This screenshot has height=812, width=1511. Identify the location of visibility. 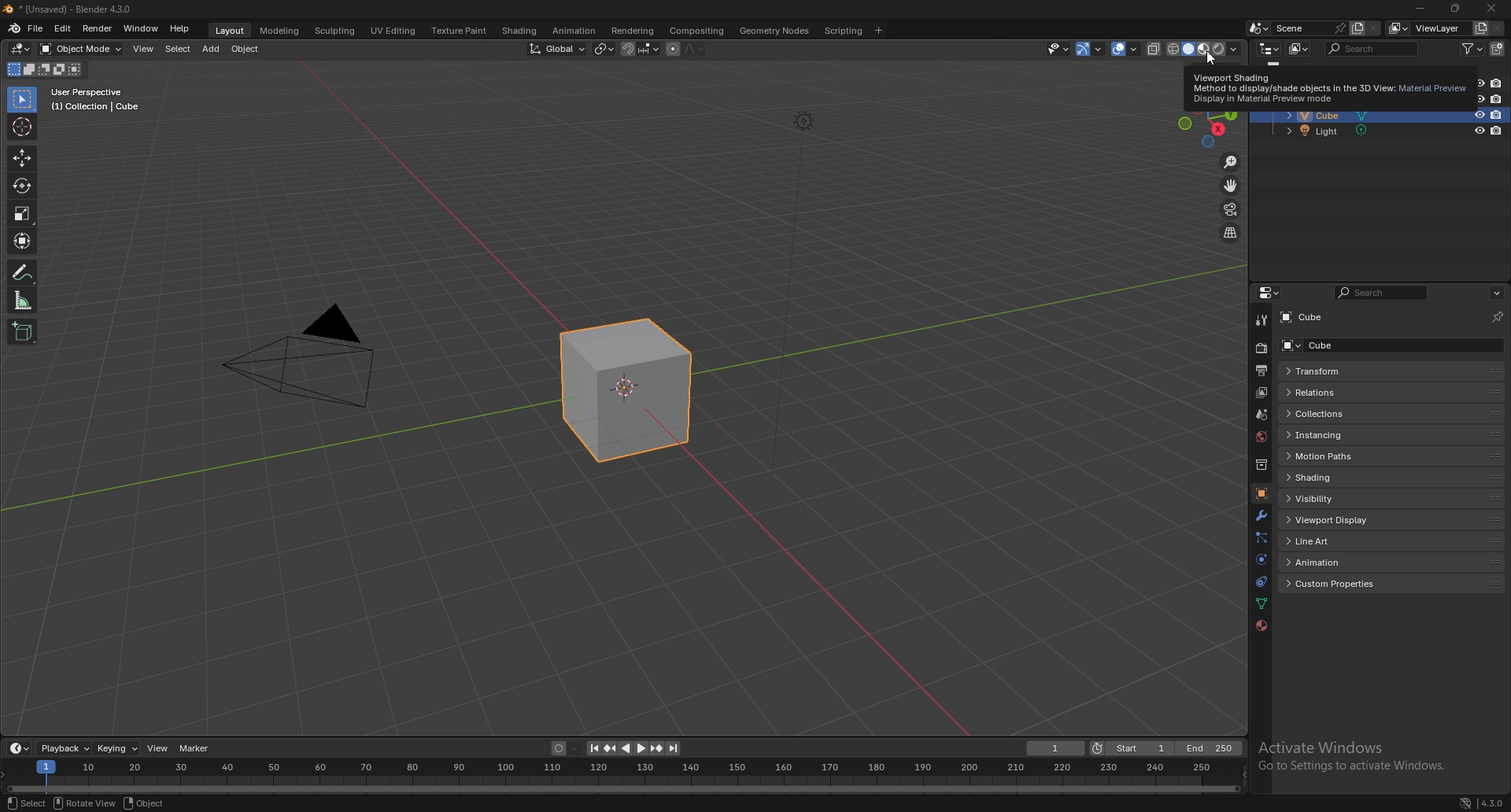
(1339, 500).